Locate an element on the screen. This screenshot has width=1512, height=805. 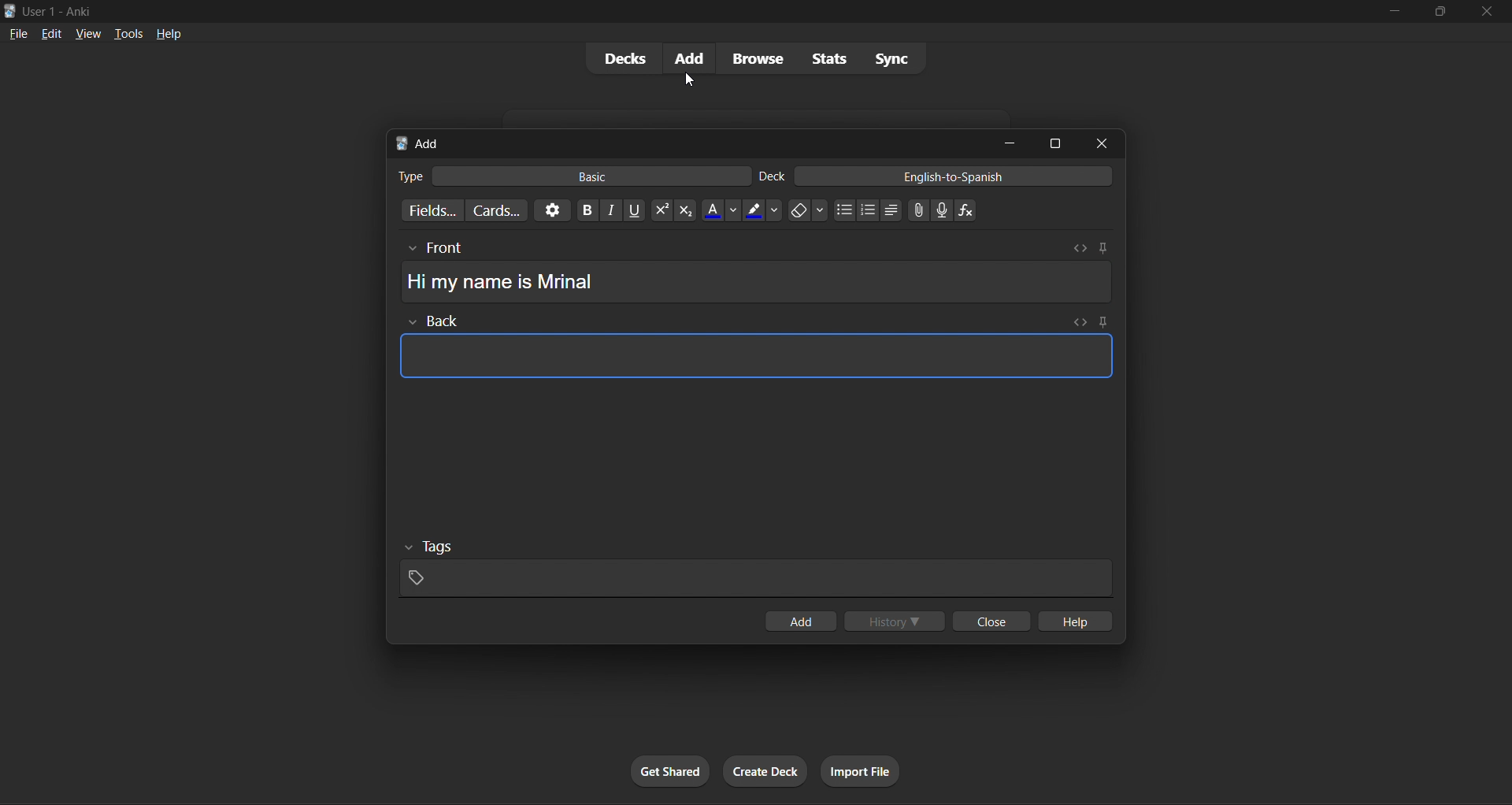
close is located at coordinates (1485, 13).